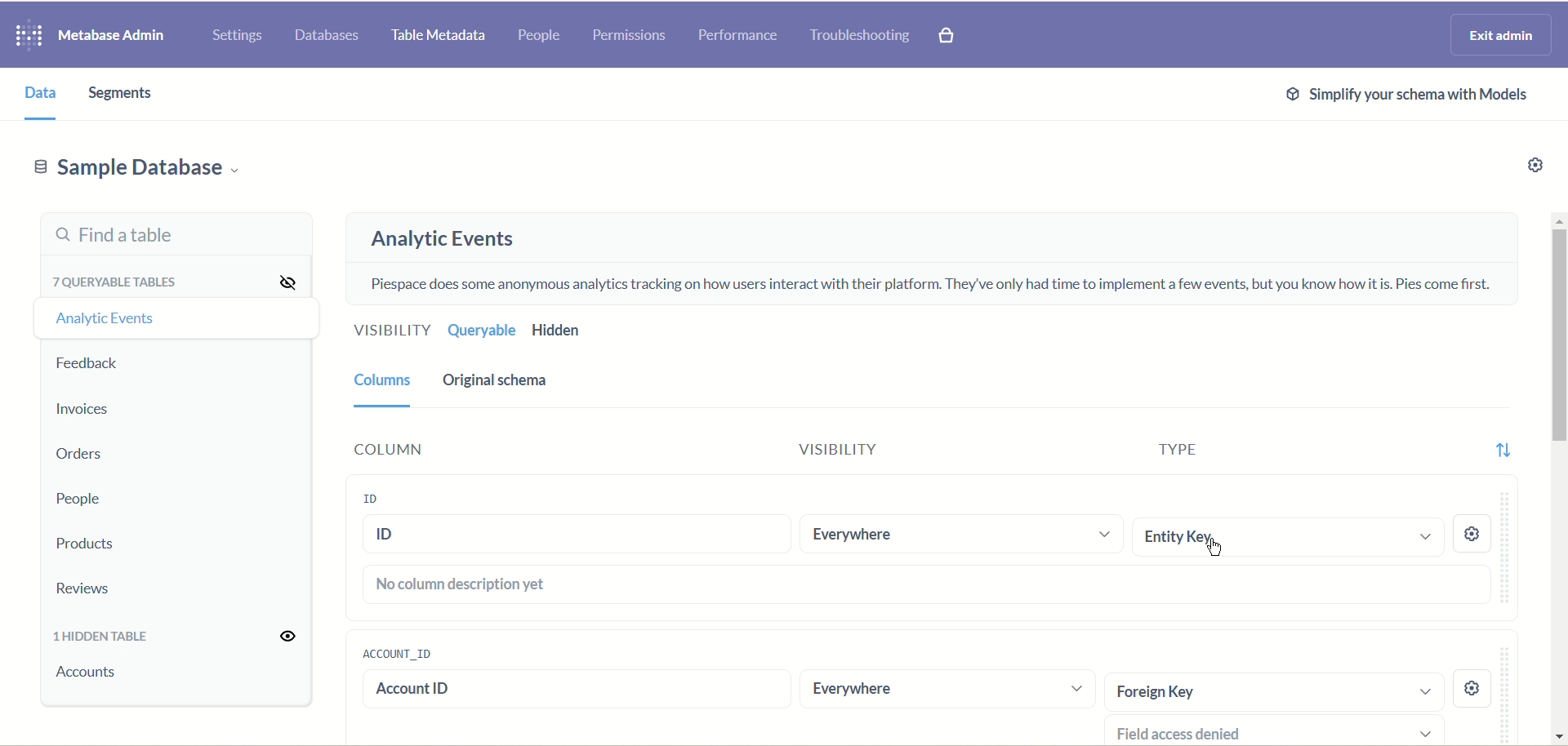  Describe the element at coordinates (1498, 35) in the screenshot. I see `exit admin` at that location.